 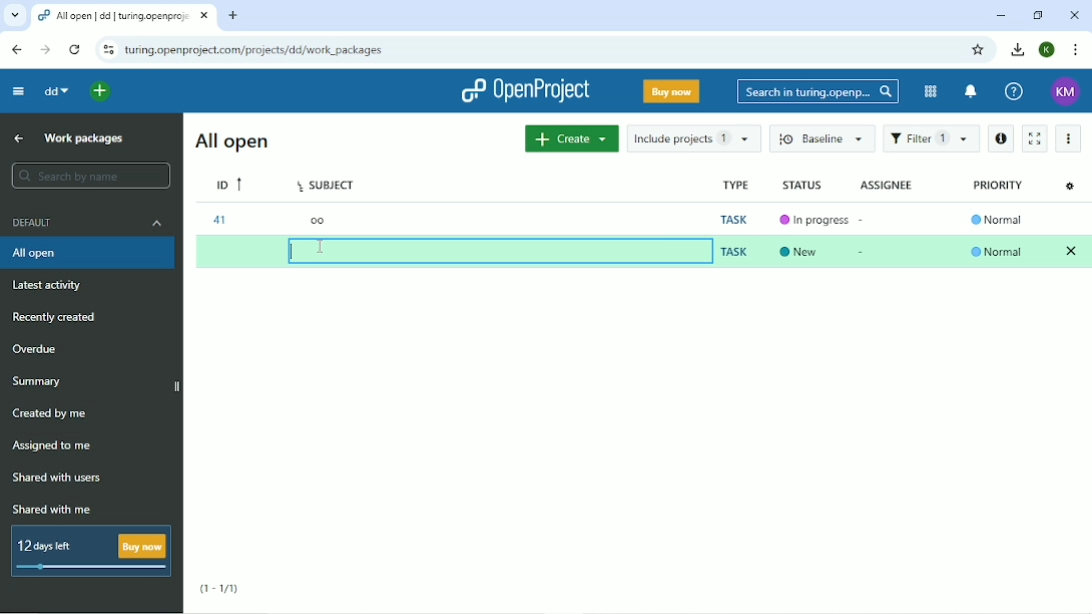 I want to click on In progress, so click(x=810, y=220).